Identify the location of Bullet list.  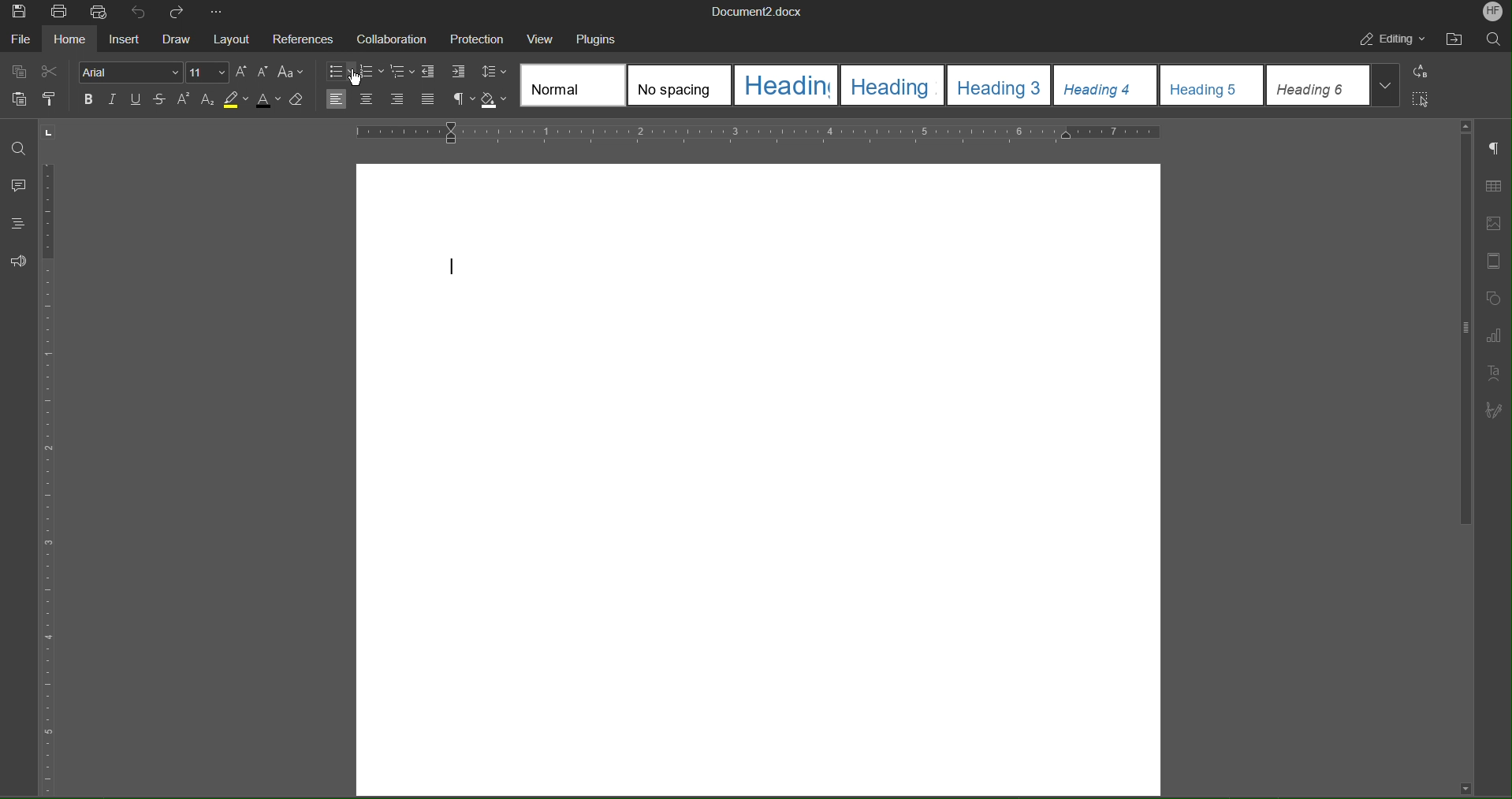
(343, 70).